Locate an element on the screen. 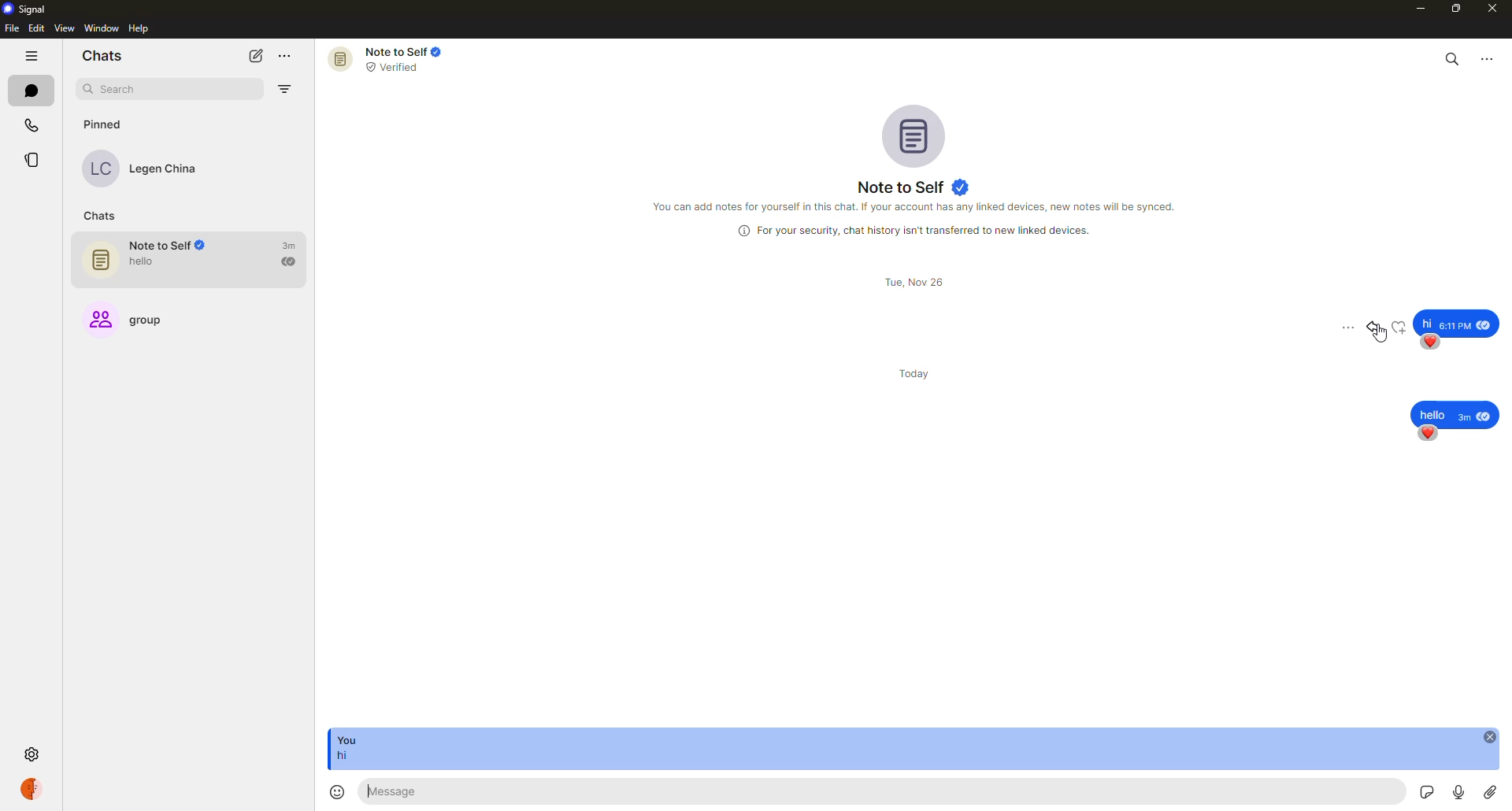 This screenshot has height=811, width=1512. profile is located at coordinates (38, 788).